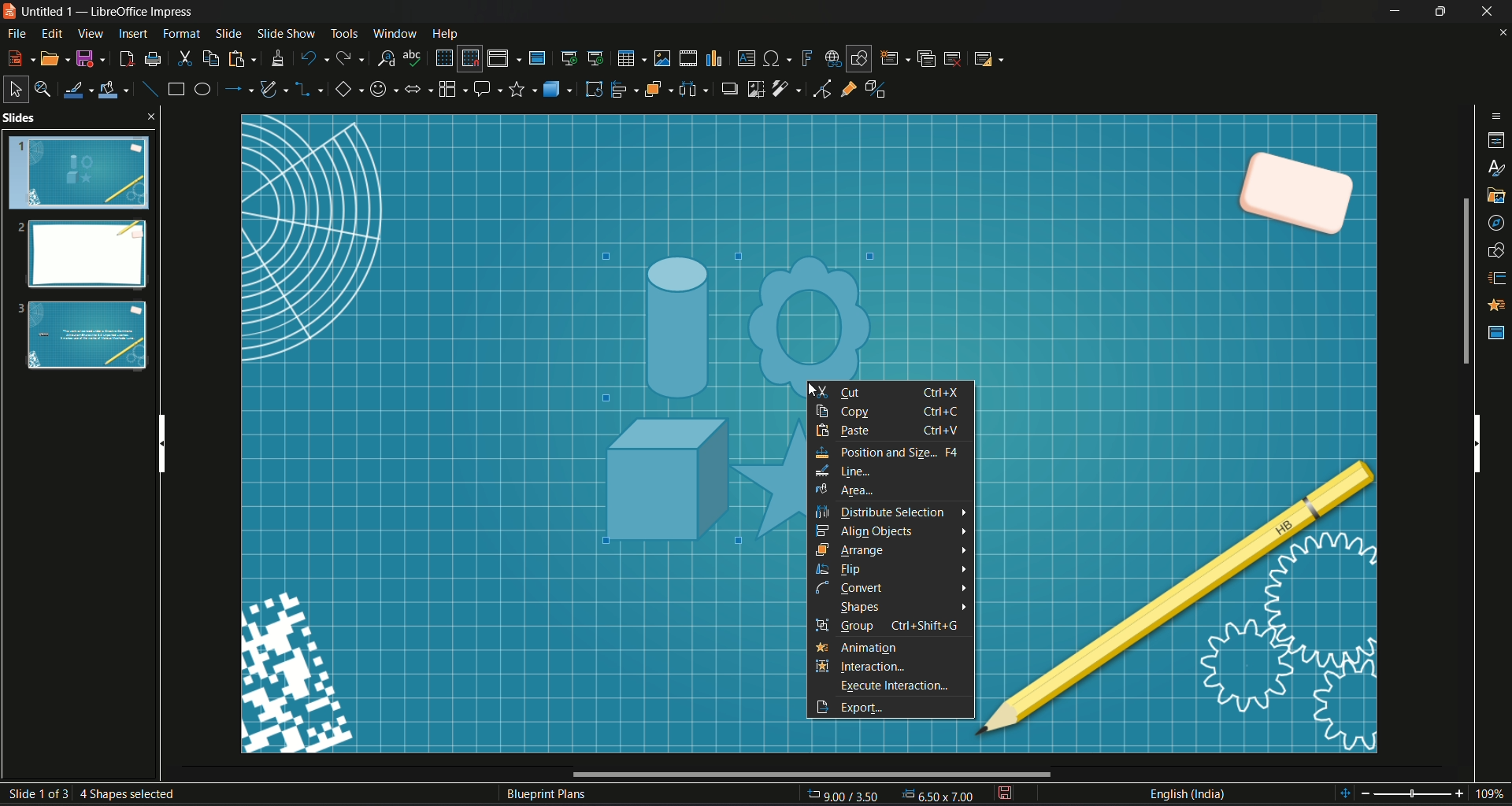 This screenshot has width=1512, height=806. What do you see at coordinates (597, 58) in the screenshot?
I see `start from current slide` at bounding box center [597, 58].